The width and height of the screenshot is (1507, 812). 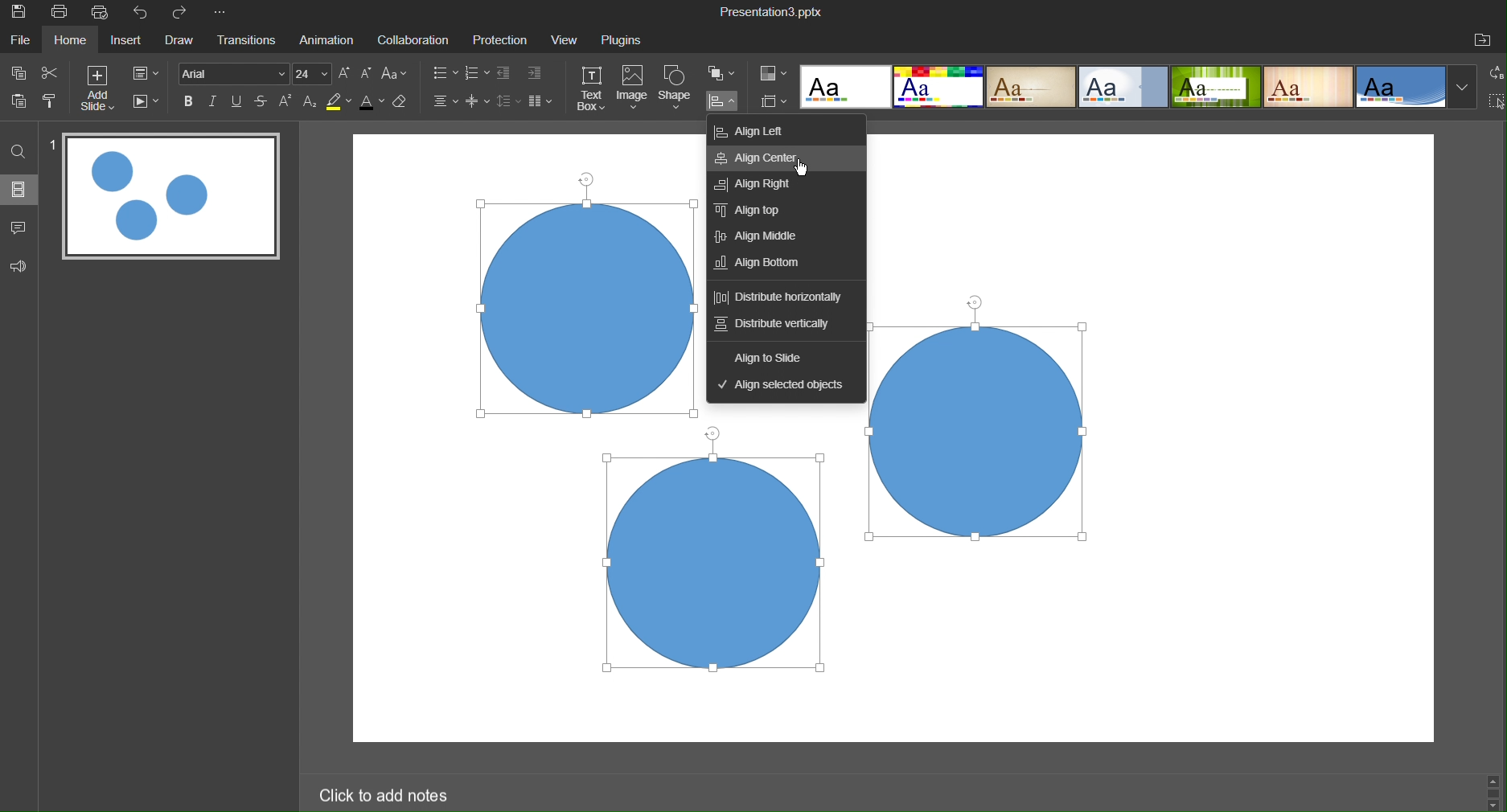 I want to click on Scroll down , so click(x=1494, y=806).